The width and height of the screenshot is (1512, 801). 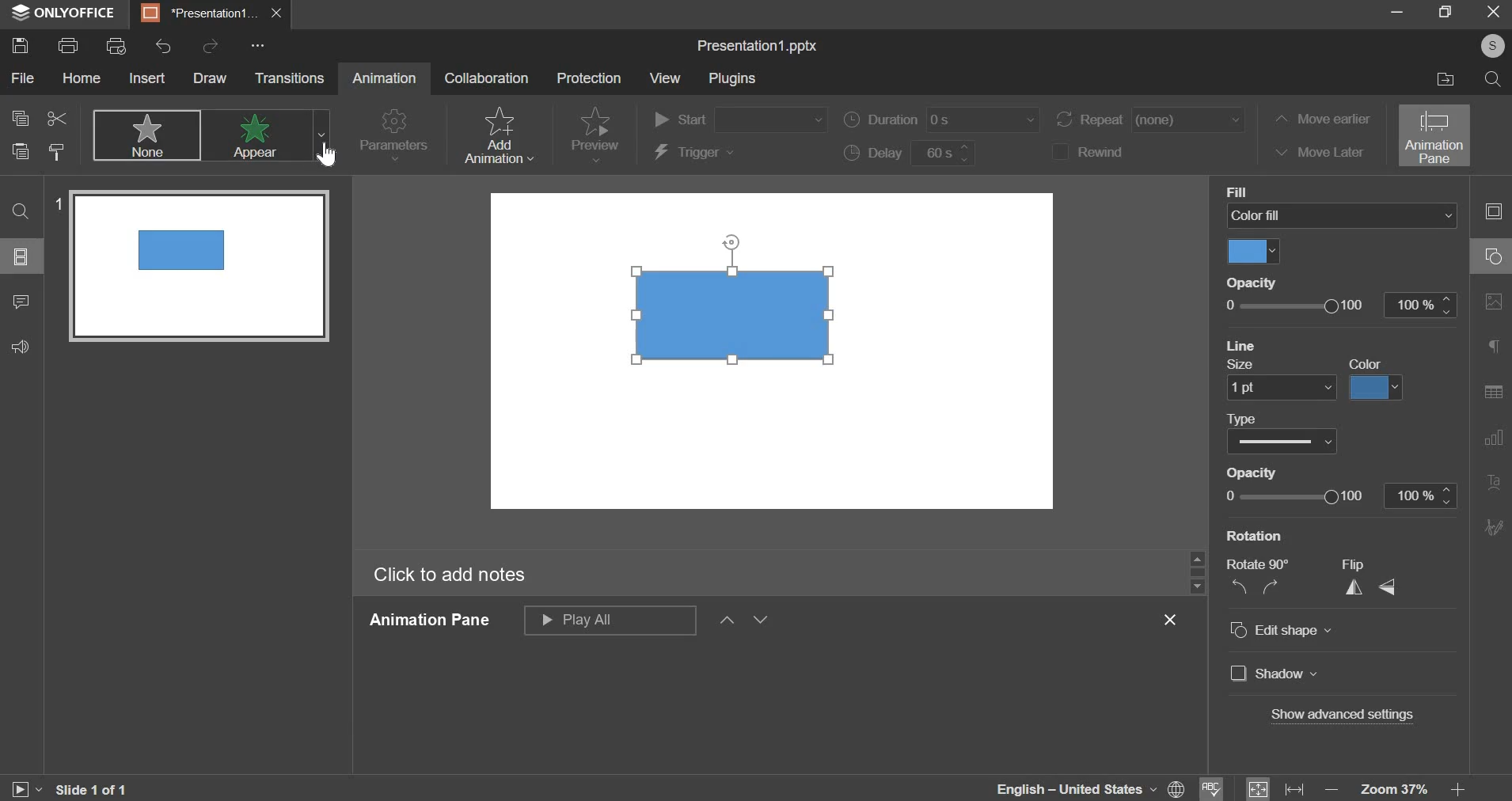 What do you see at coordinates (165, 47) in the screenshot?
I see `undo` at bounding box center [165, 47].